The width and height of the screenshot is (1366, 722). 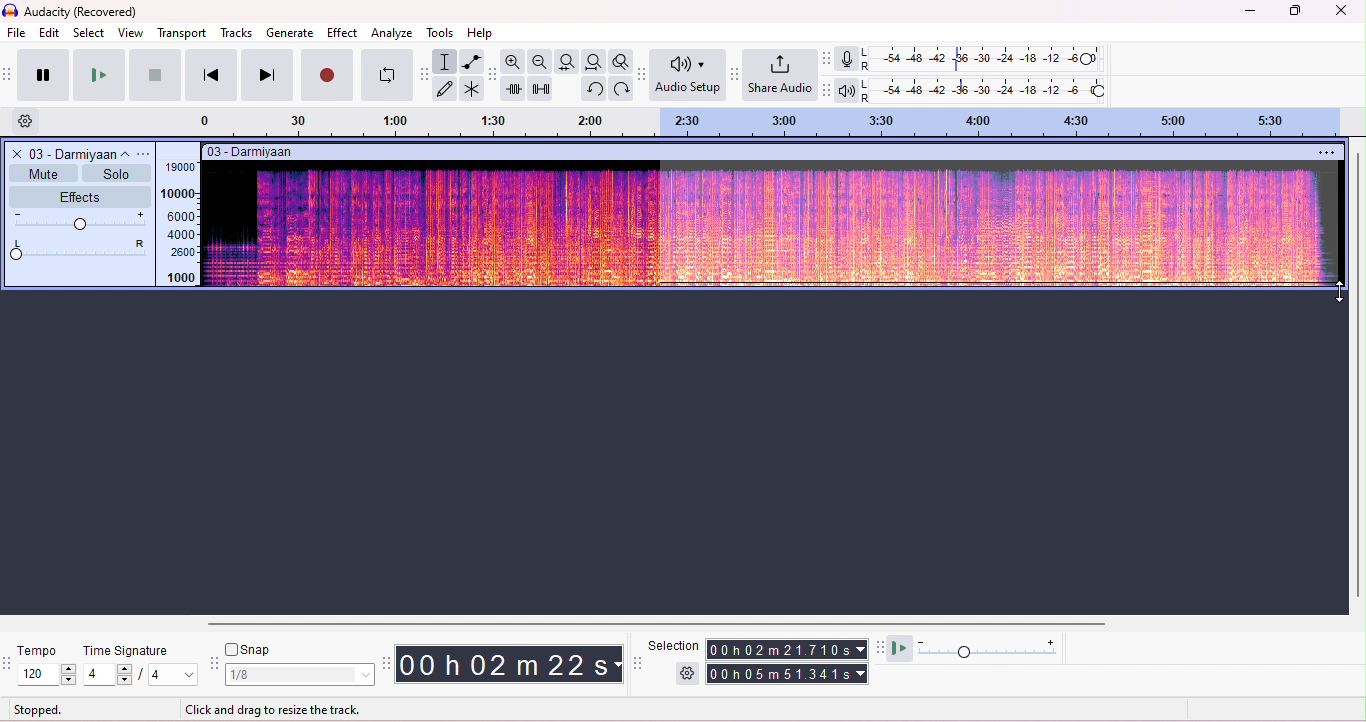 What do you see at coordinates (473, 90) in the screenshot?
I see `multi` at bounding box center [473, 90].